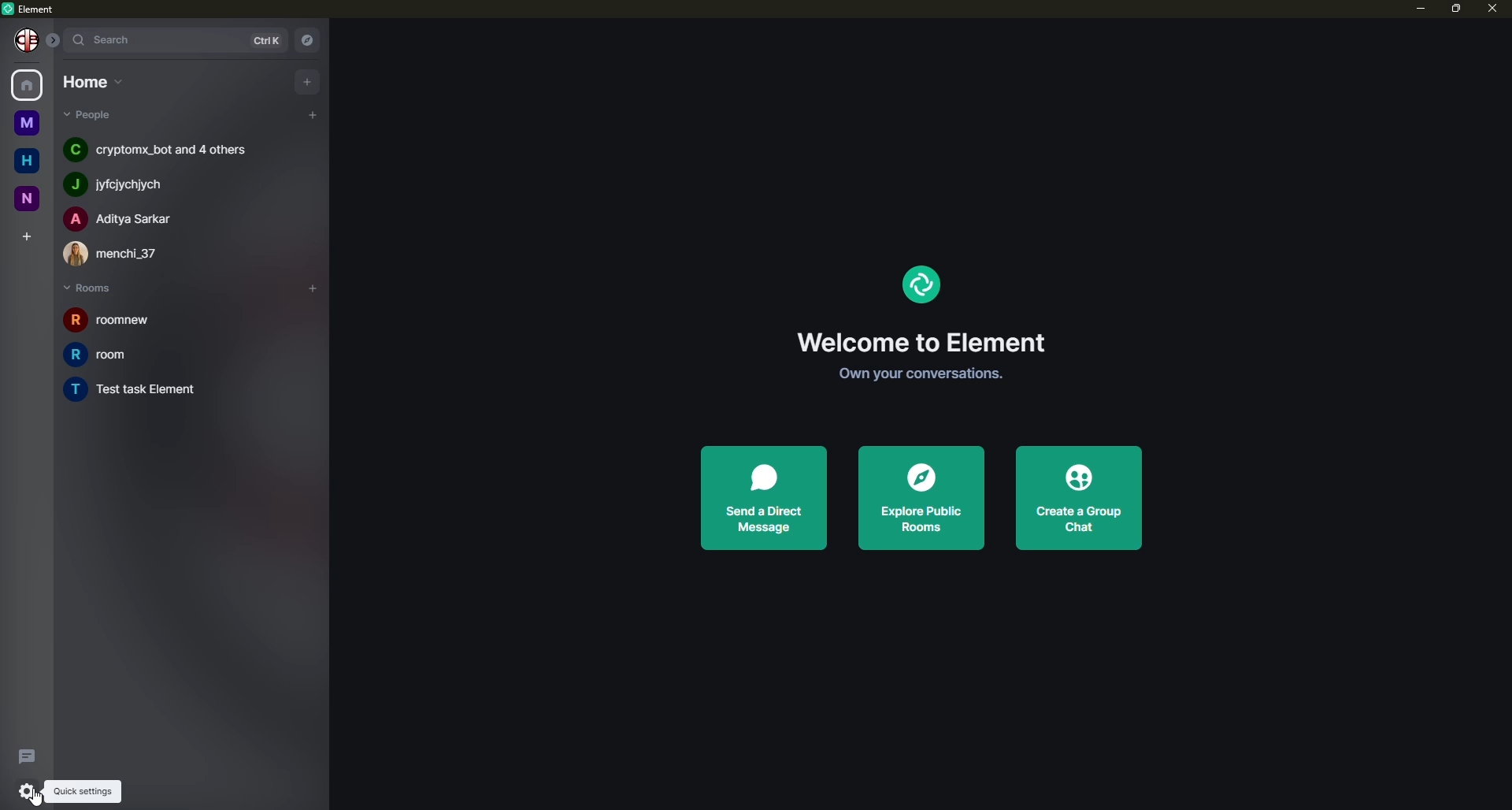  I want to click on room, so click(104, 321).